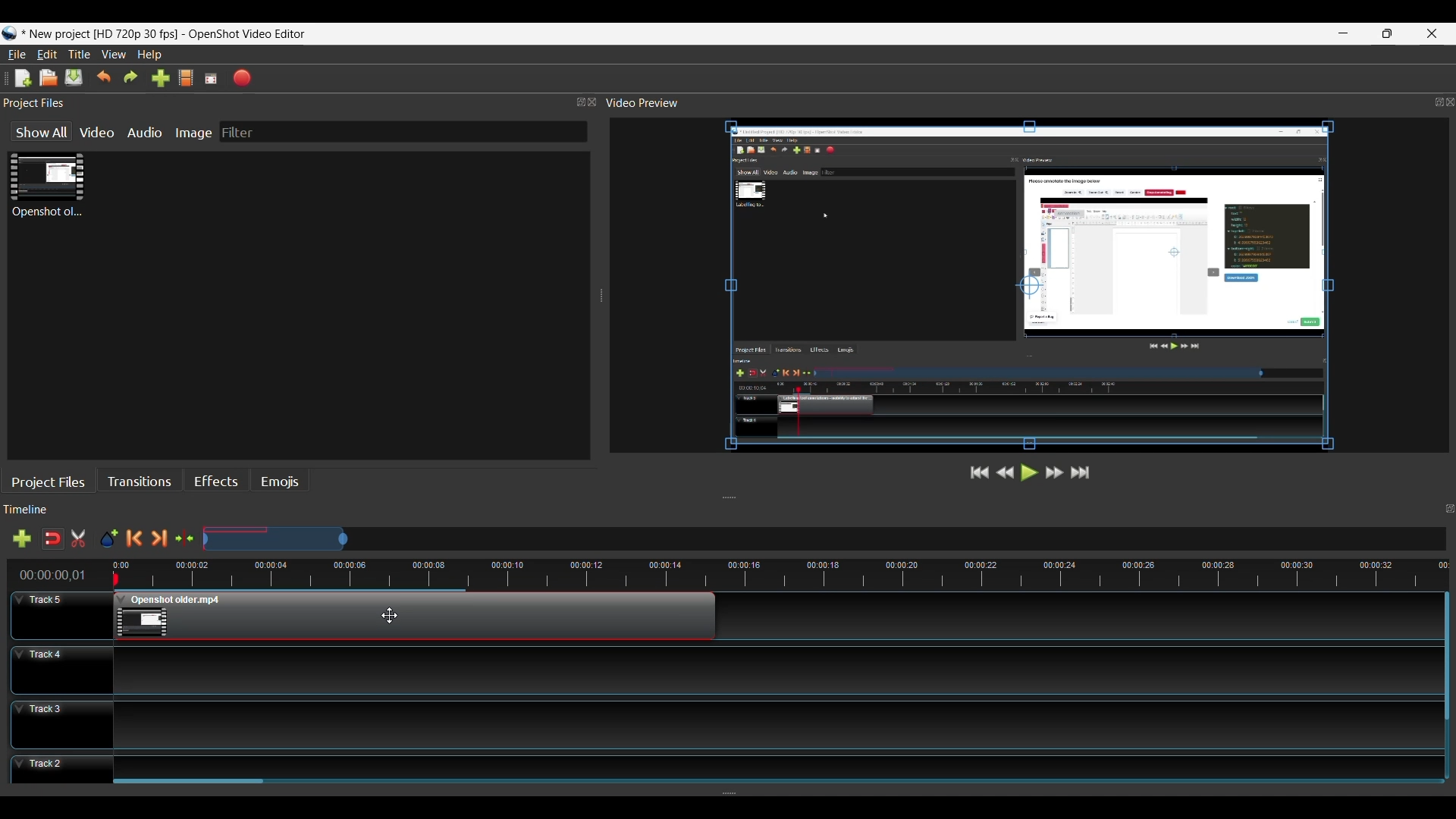  Describe the element at coordinates (74, 78) in the screenshot. I see `Save File` at that location.